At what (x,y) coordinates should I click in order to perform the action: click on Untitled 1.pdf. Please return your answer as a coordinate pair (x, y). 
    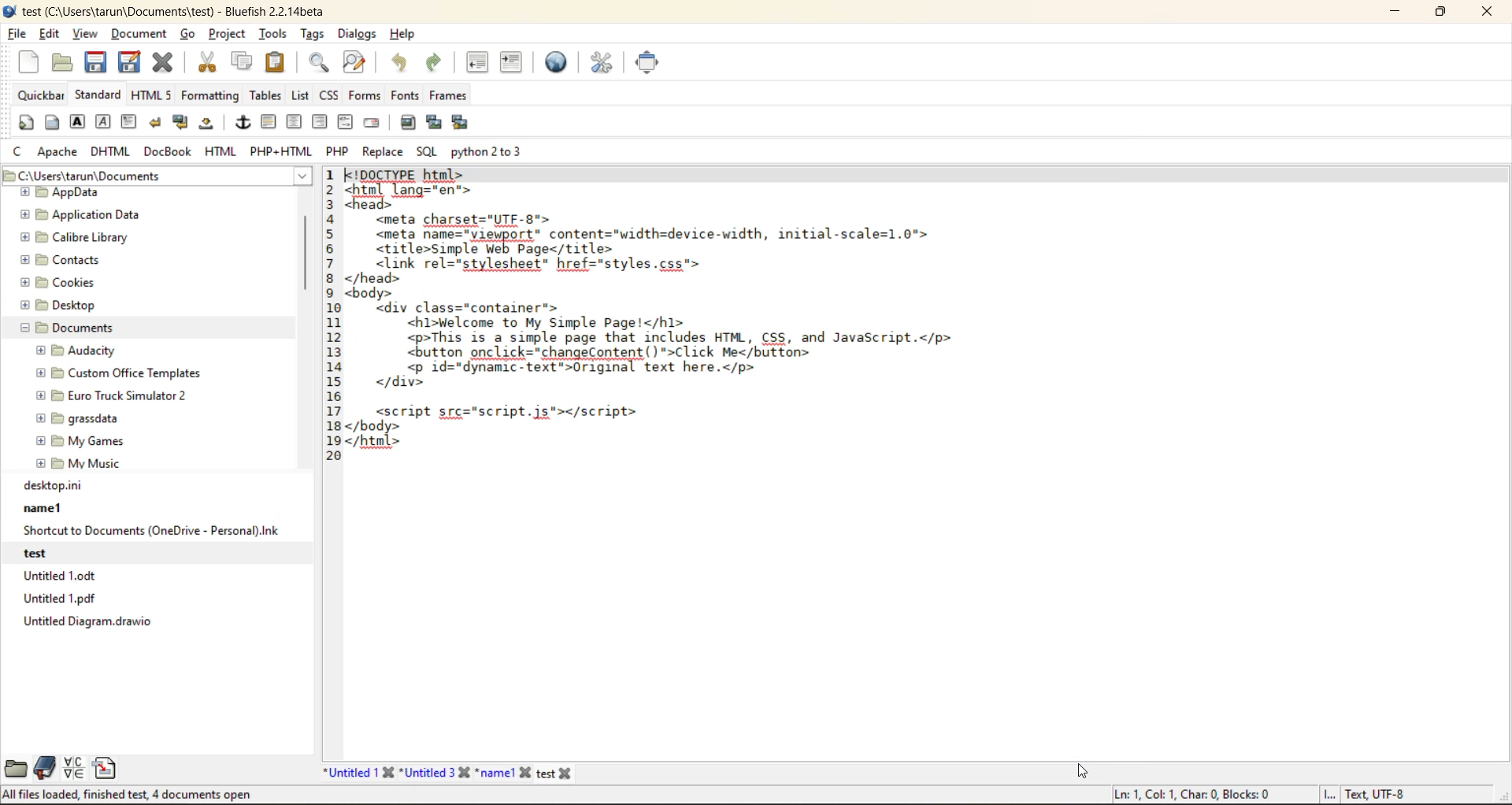
    Looking at the image, I should click on (155, 598).